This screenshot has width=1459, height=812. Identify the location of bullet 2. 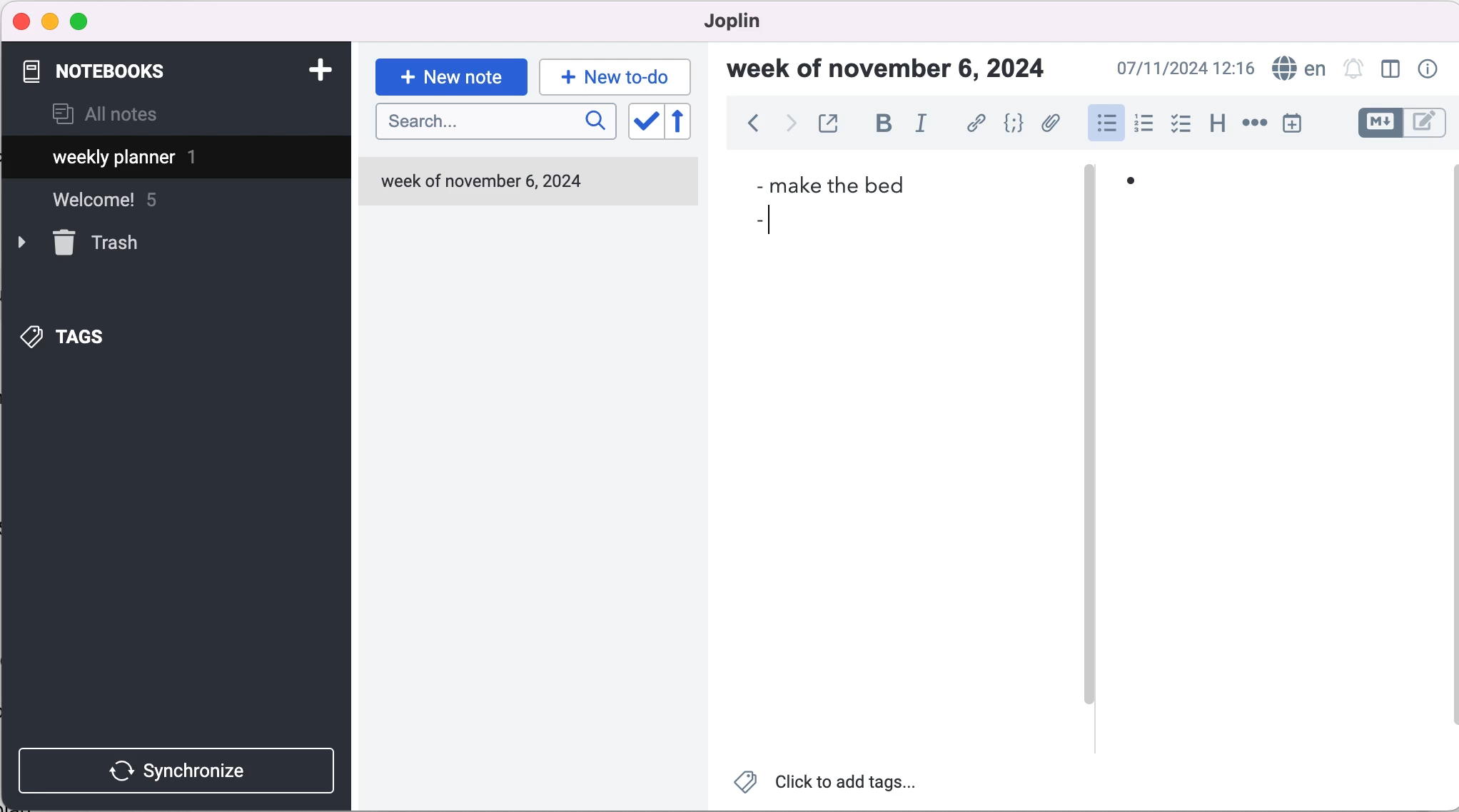
(755, 223).